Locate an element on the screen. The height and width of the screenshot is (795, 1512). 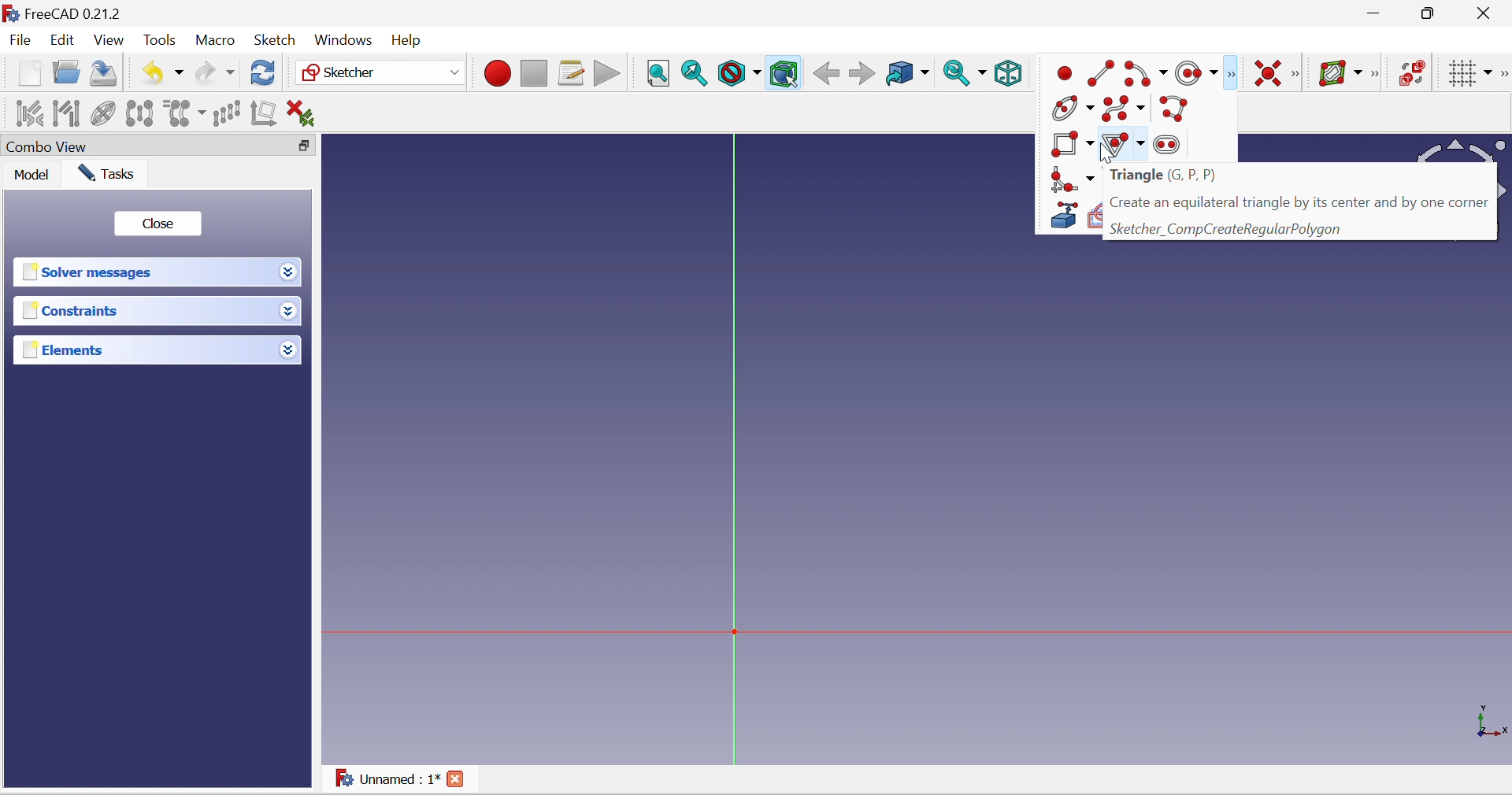
[Sketcher edit tools] is located at coordinates (1503, 75).